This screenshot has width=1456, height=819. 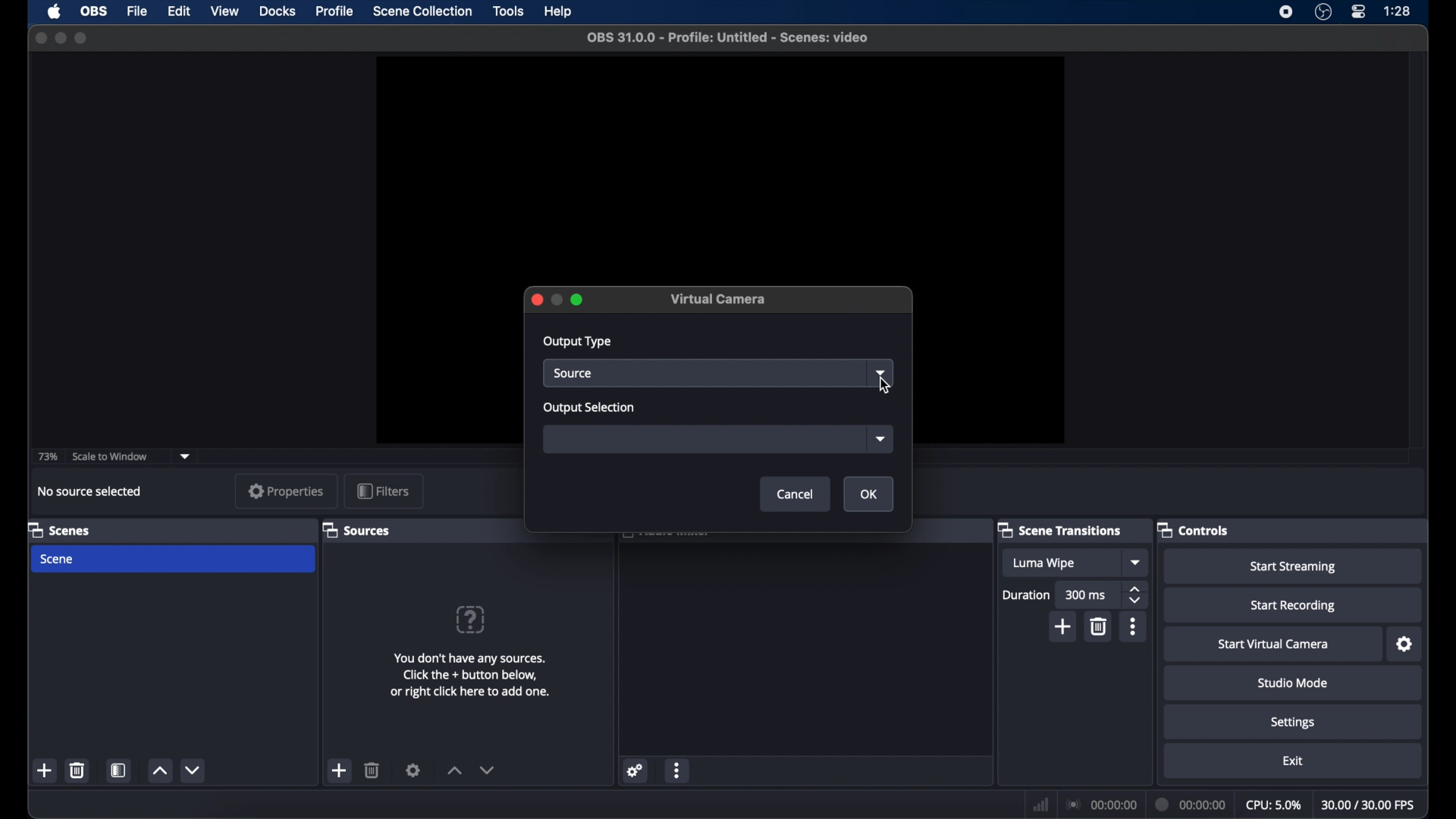 What do you see at coordinates (453, 771) in the screenshot?
I see `increment` at bounding box center [453, 771].